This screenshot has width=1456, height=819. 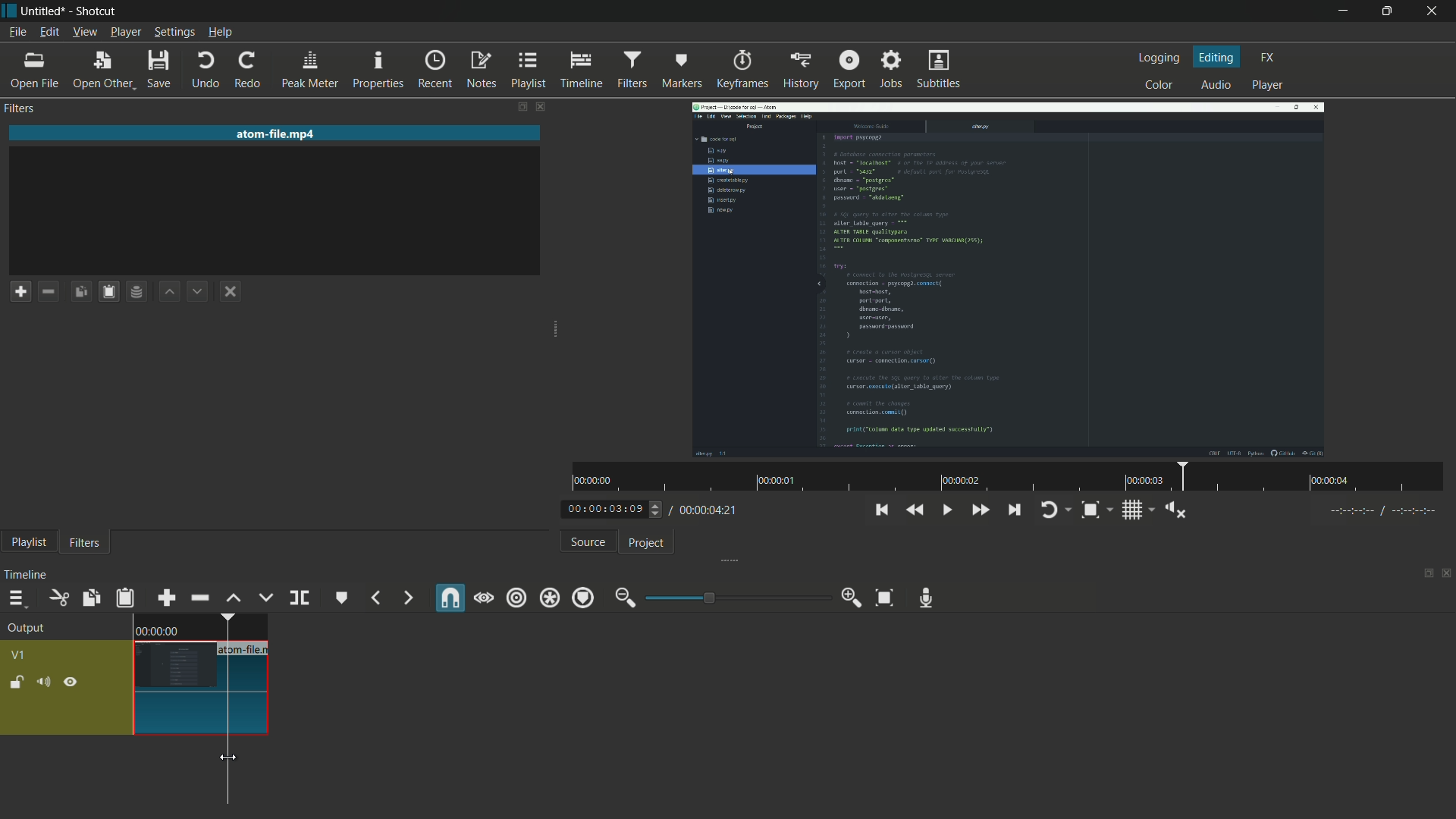 What do you see at coordinates (34, 71) in the screenshot?
I see `open file` at bounding box center [34, 71].